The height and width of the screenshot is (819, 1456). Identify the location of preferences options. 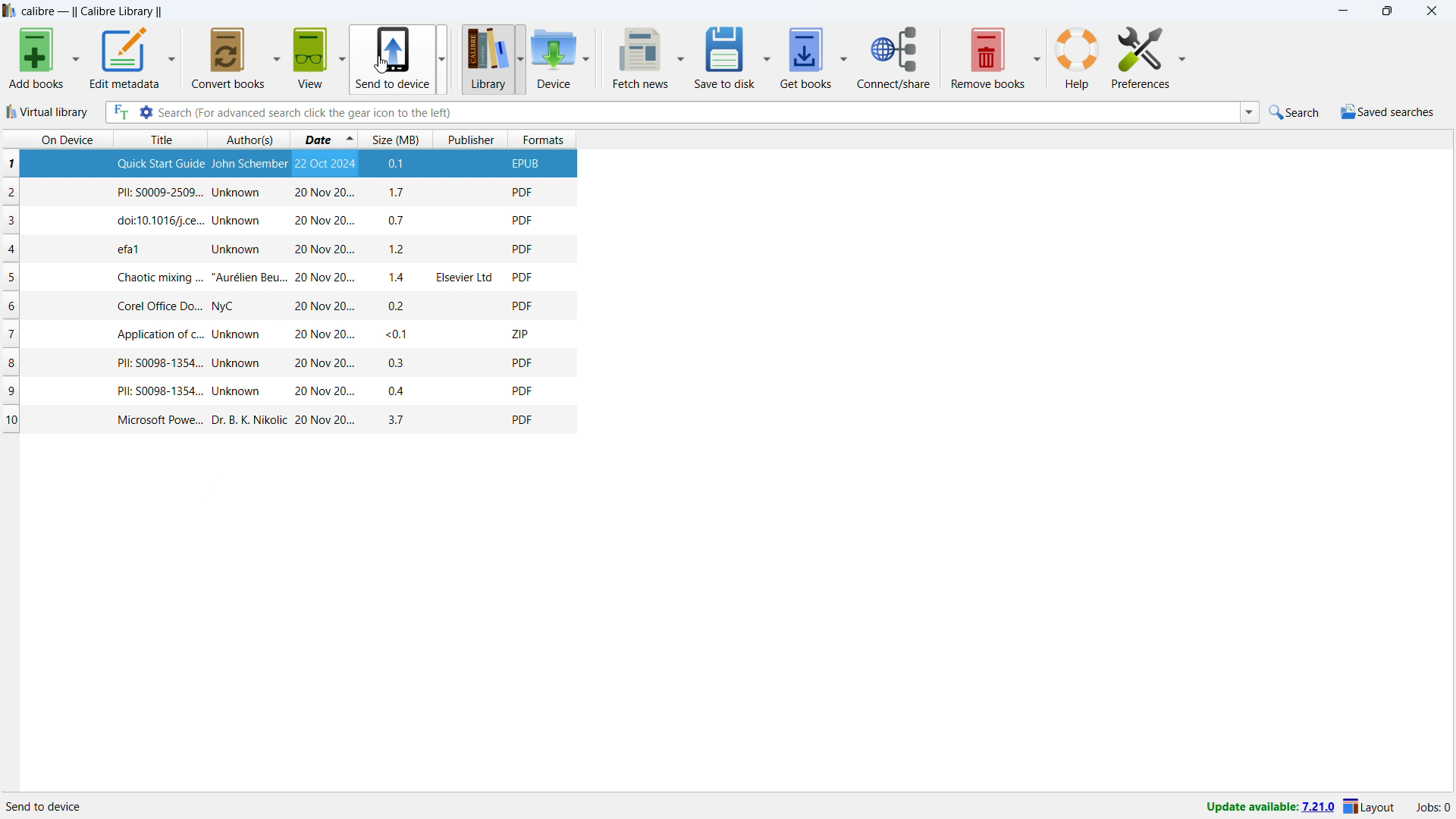
(1140, 58).